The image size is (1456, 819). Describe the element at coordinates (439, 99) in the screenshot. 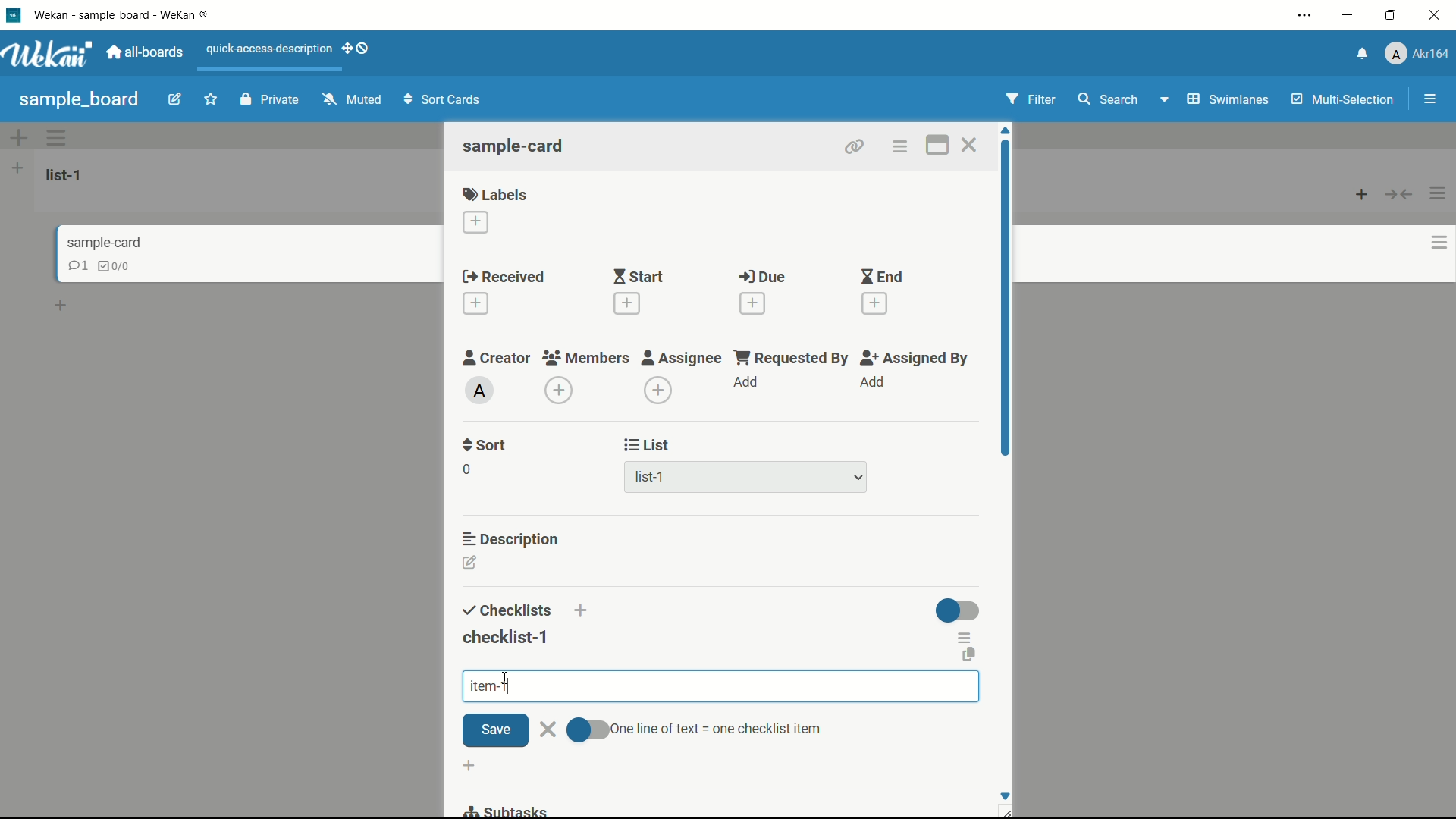

I see `Sort Cards` at that location.